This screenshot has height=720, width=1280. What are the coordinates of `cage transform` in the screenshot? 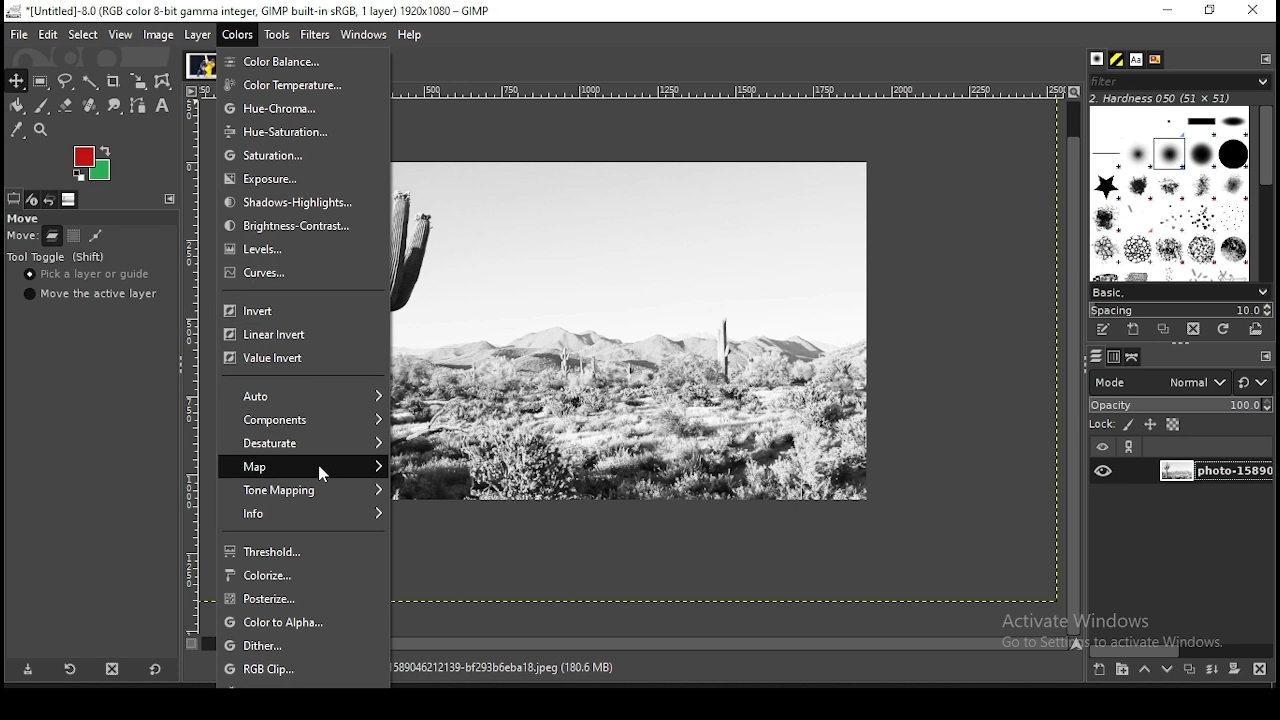 It's located at (165, 82).